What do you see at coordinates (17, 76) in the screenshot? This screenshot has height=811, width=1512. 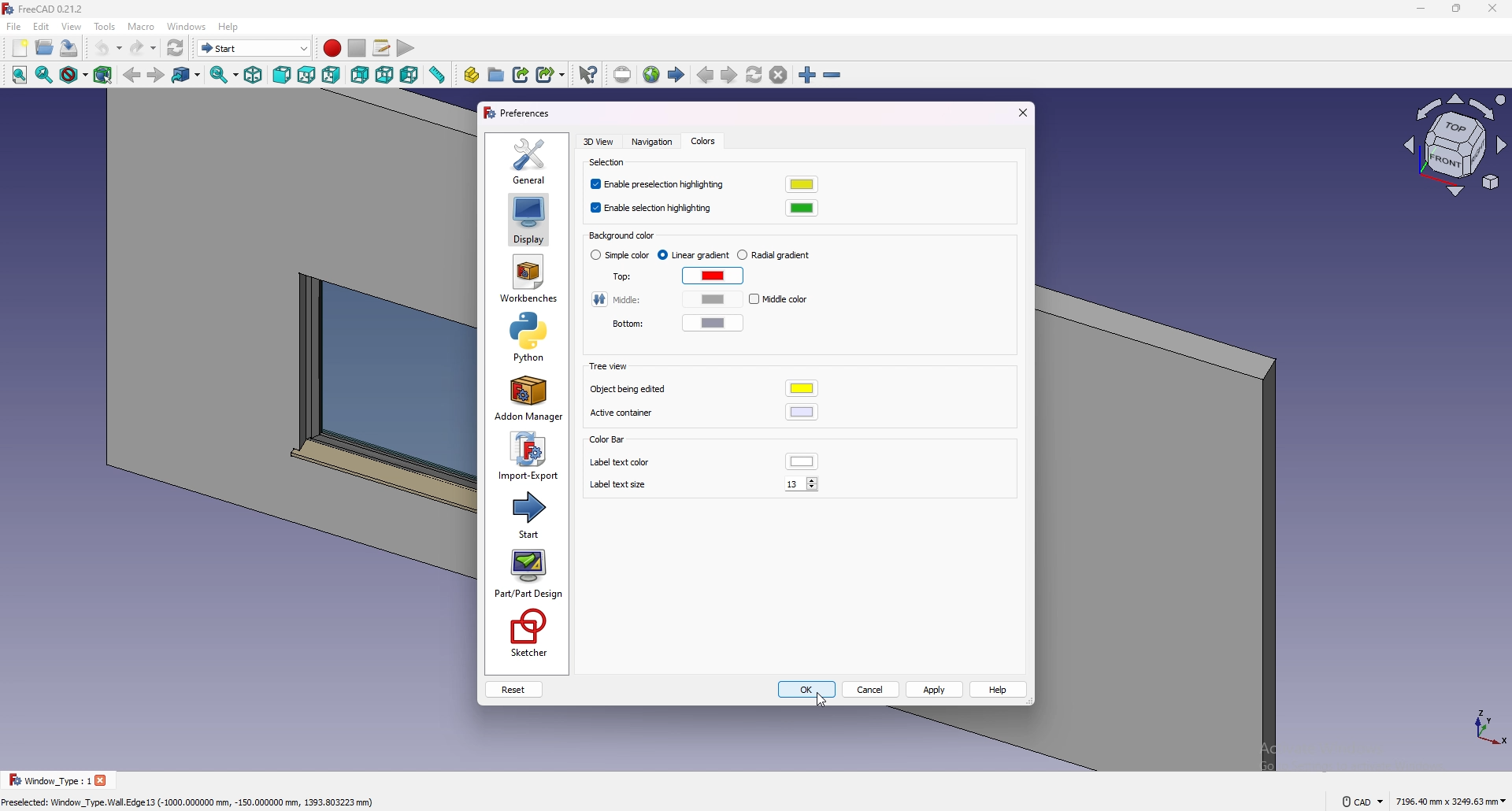 I see `fit all` at bounding box center [17, 76].